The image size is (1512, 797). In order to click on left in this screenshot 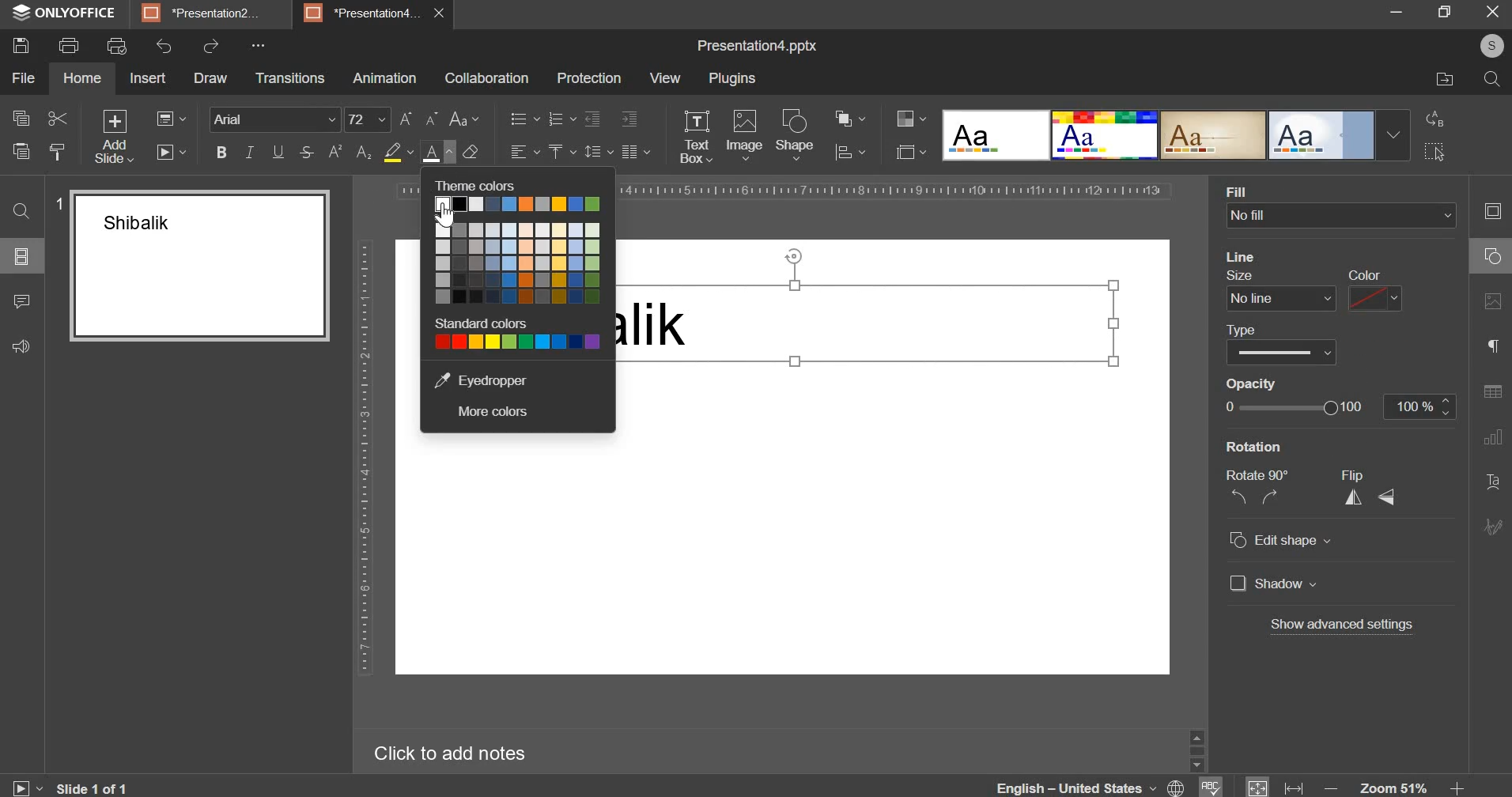, I will do `click(1238, 497)`.